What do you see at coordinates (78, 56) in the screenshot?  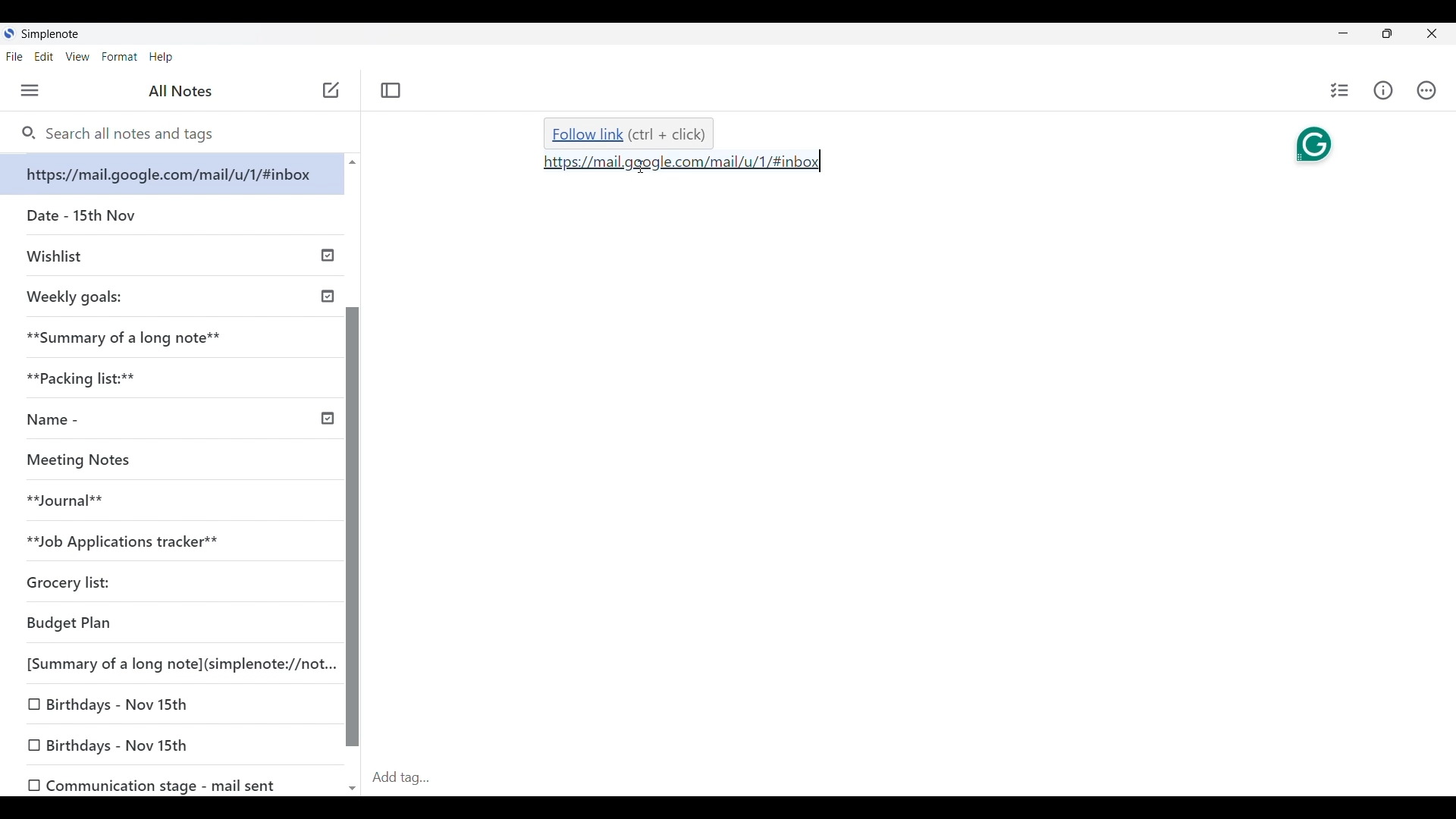 I see `Views menu` at bounding box center [78, 56].